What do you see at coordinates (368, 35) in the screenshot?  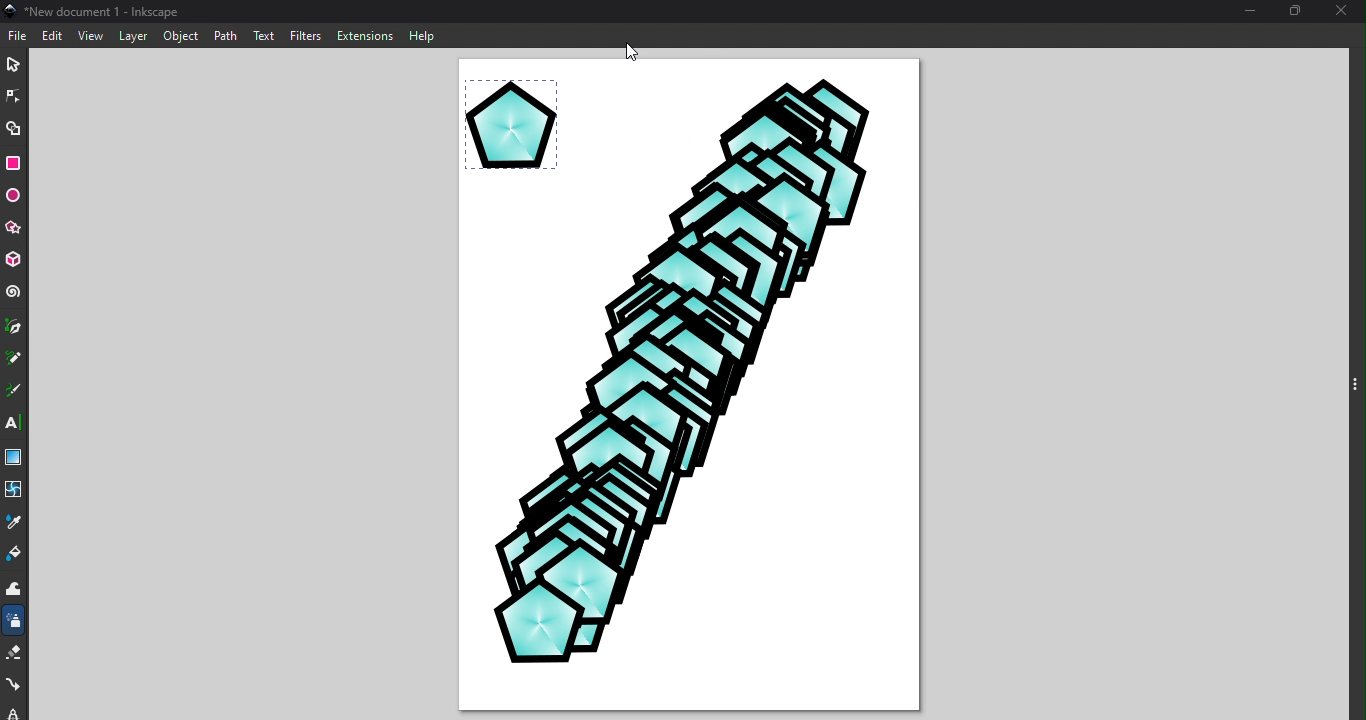 I see `Extensions` at bounding box center [368, 35].